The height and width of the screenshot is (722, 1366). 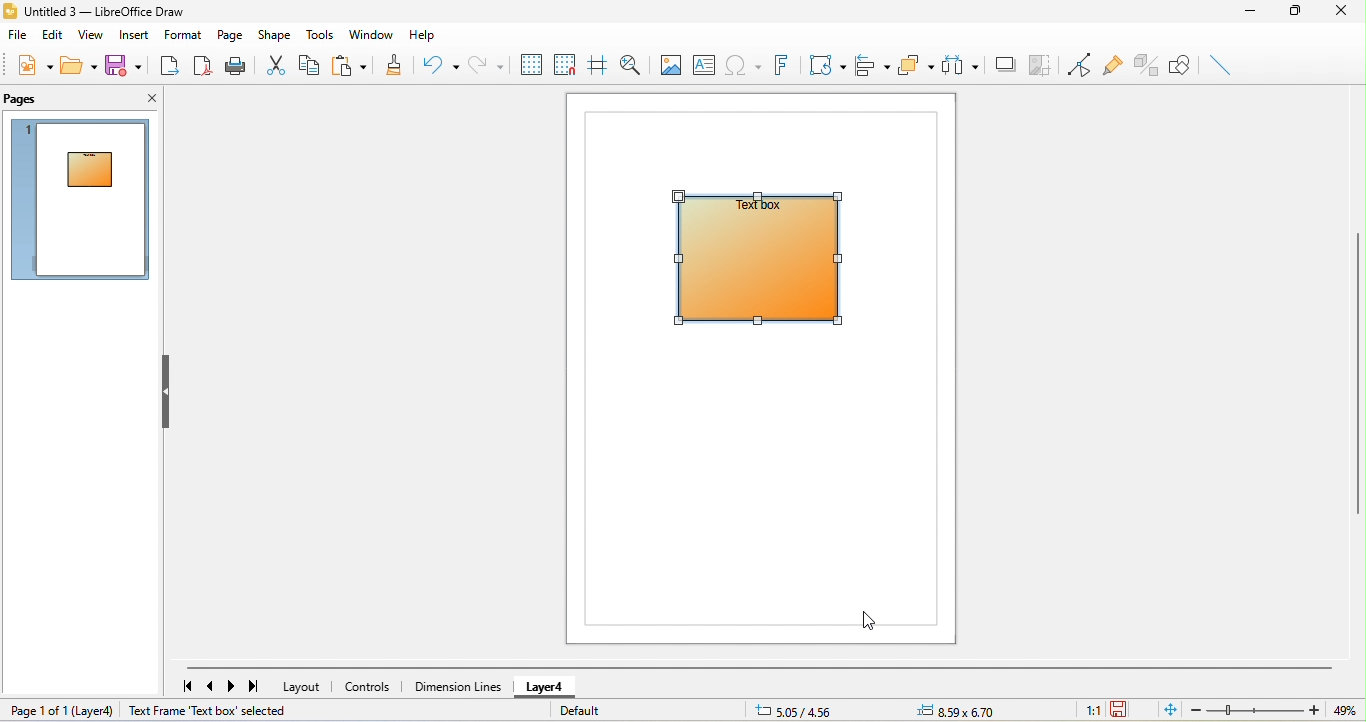 I want to click on clone formatting, so click(x=394, y=63).